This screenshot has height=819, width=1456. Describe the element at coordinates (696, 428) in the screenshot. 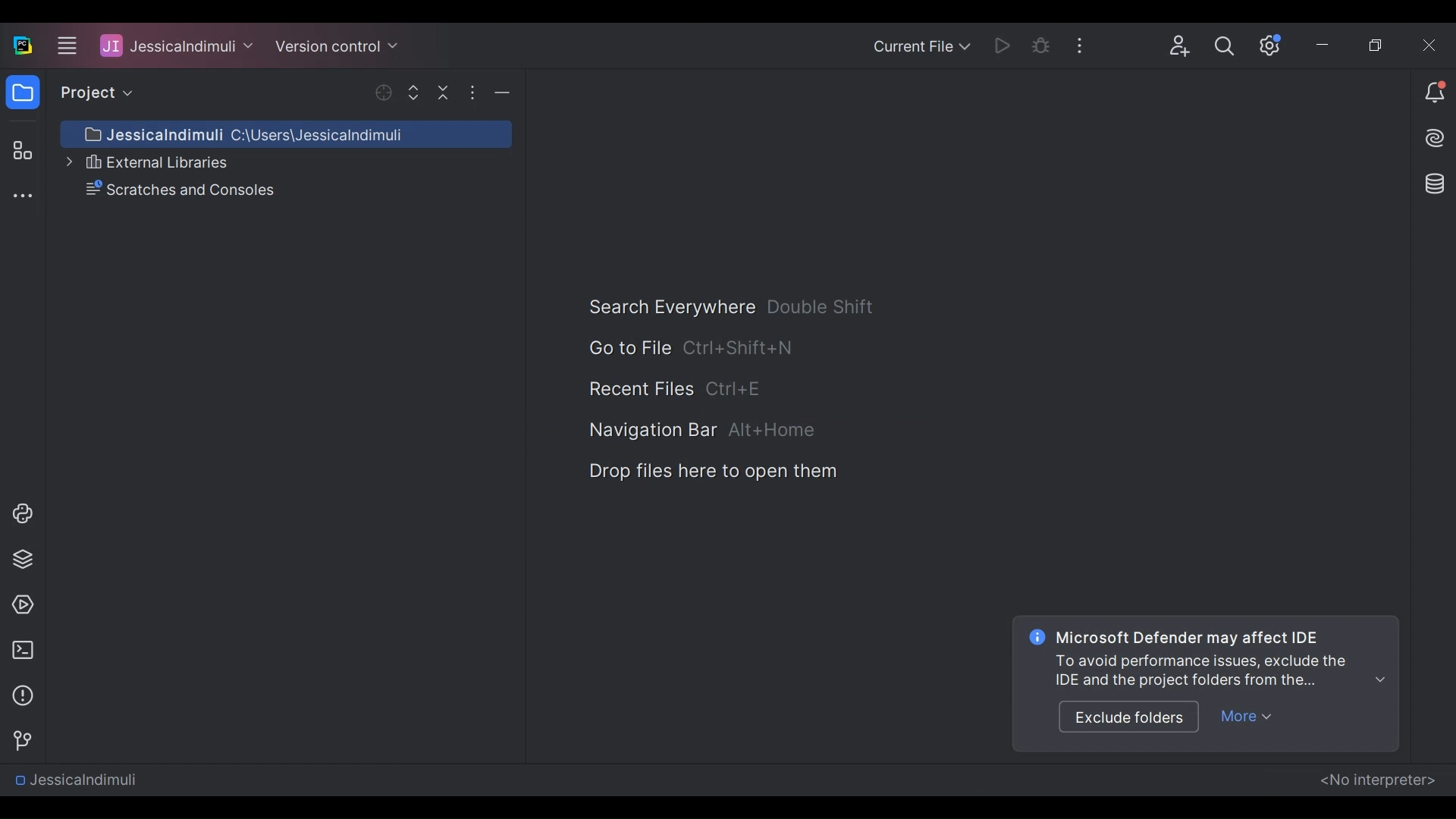

I see `avigation Bar` at that location.